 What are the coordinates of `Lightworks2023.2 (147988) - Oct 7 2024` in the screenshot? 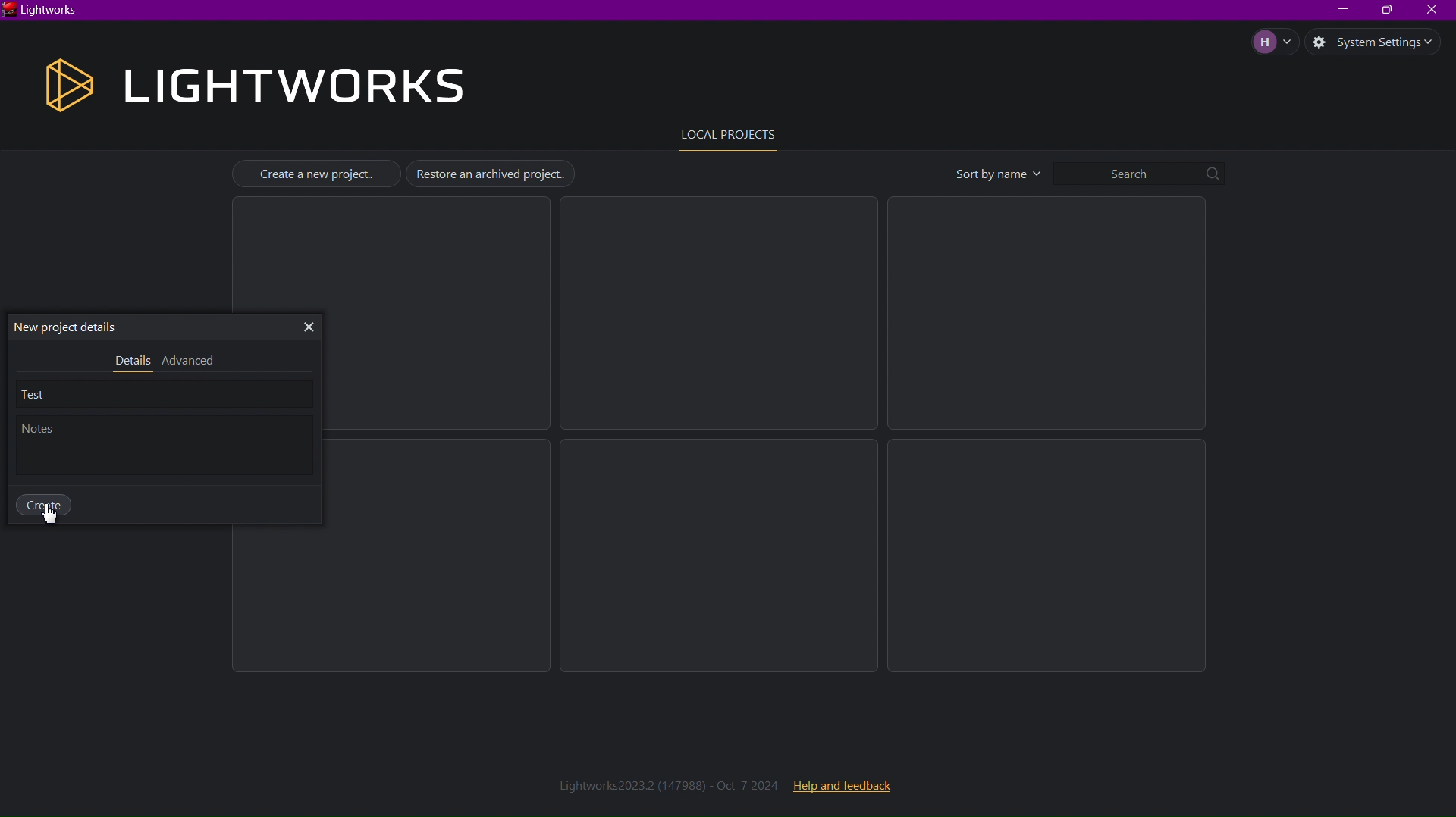 It's located at (670, 783).